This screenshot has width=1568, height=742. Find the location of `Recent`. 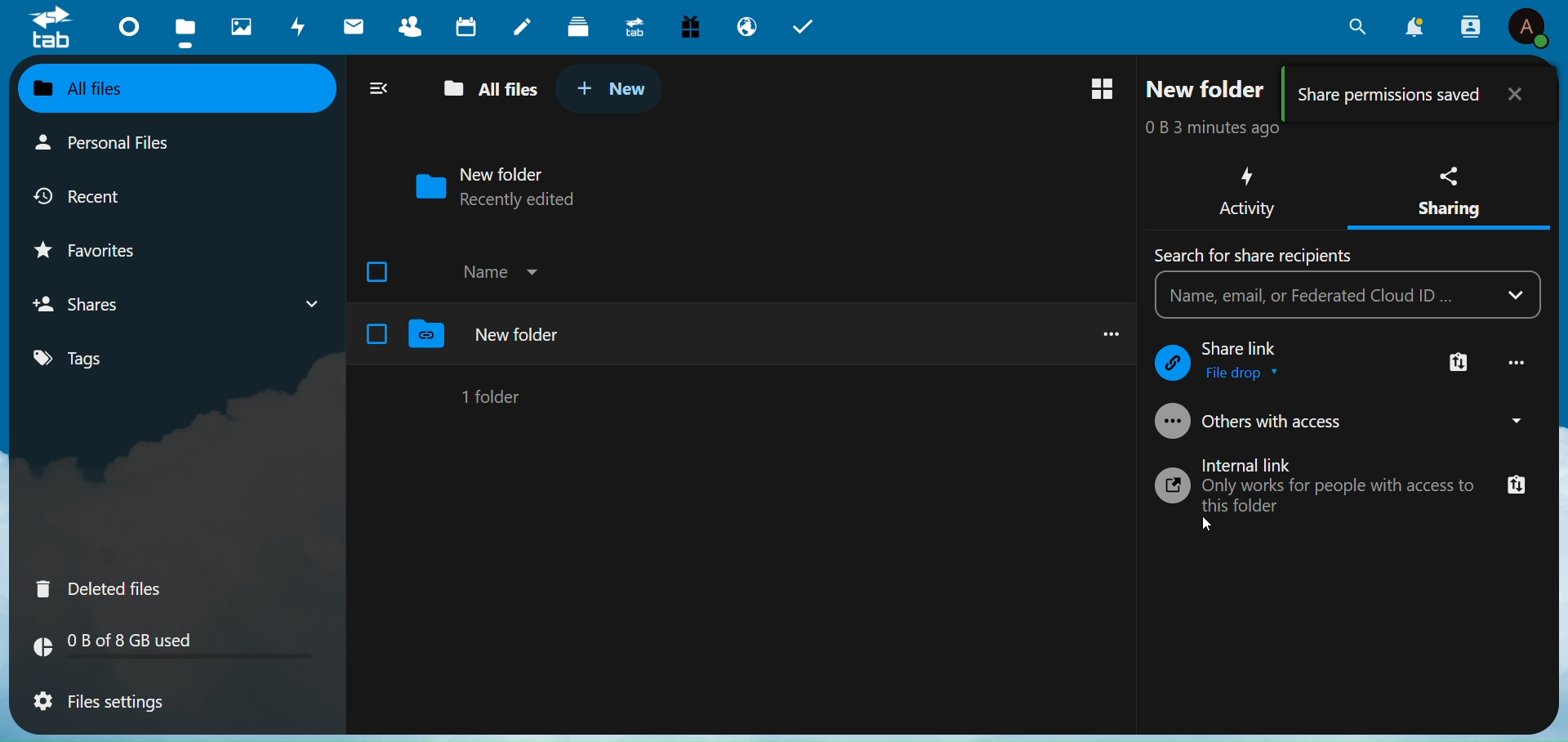

Recent is located at coordinates (97, 194).